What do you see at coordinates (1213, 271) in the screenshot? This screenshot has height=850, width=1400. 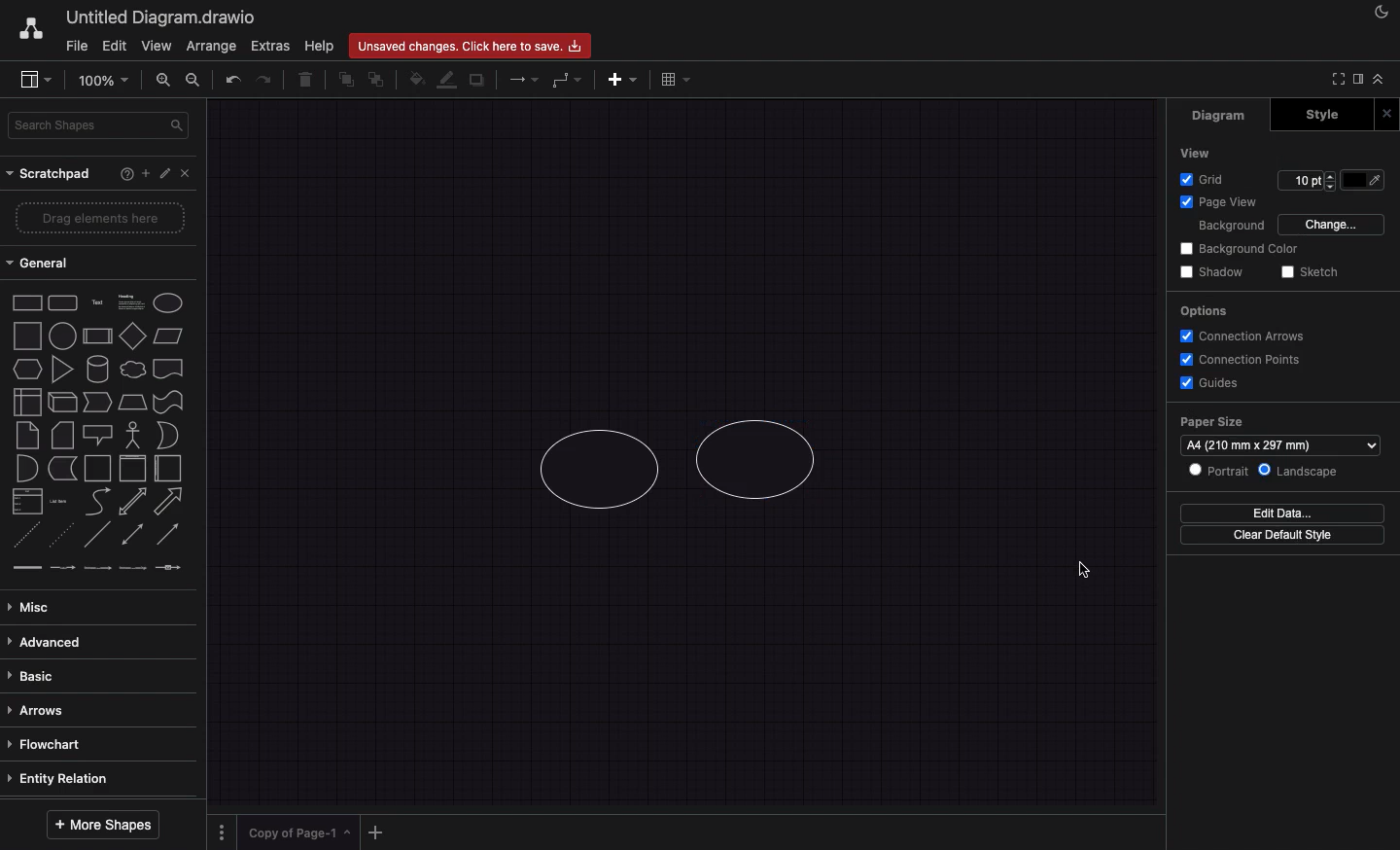 I see `shadow` at bounding box center [1213, 271].